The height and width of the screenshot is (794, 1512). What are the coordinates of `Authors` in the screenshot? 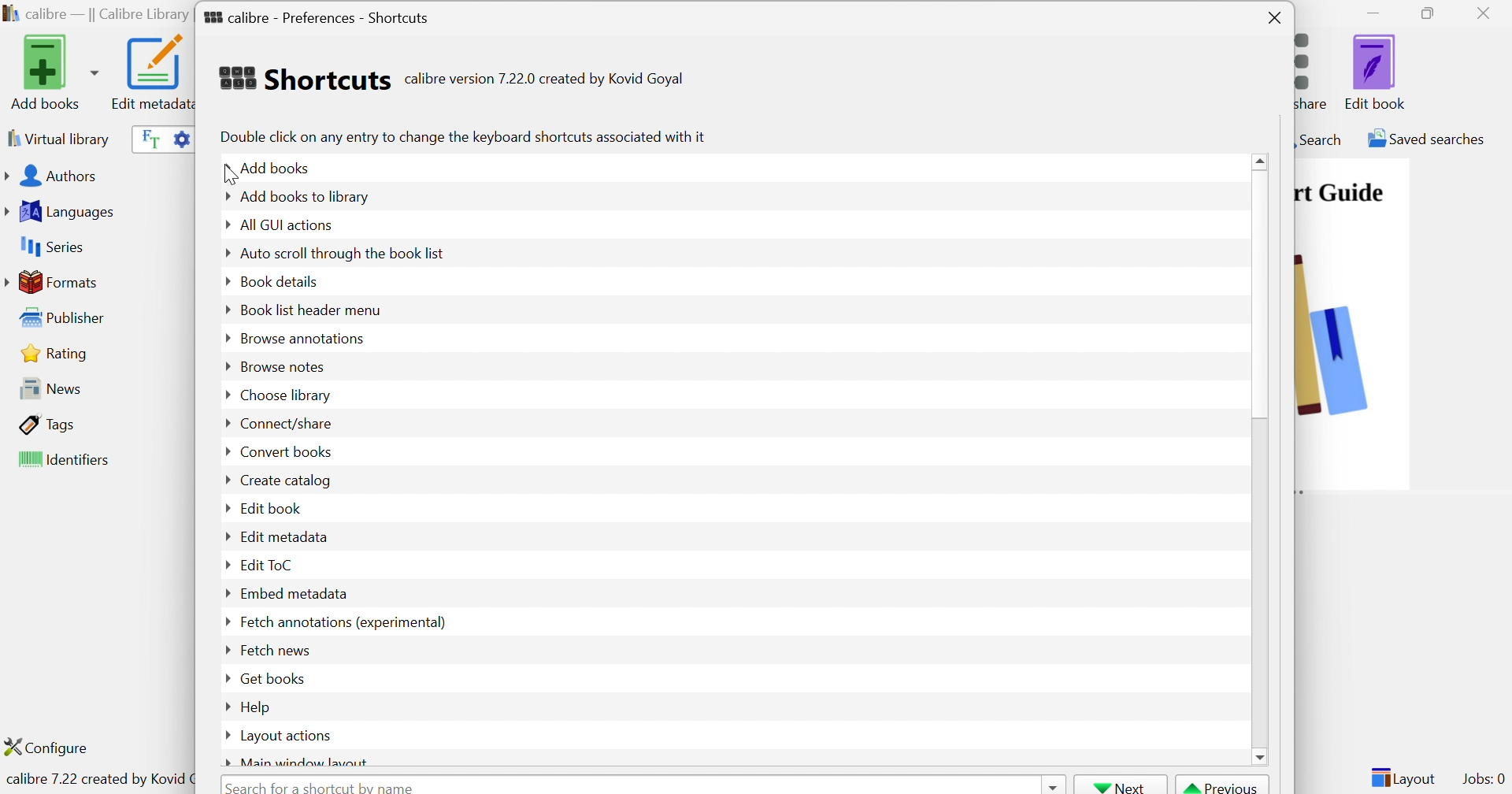 It's located at (54, 177).